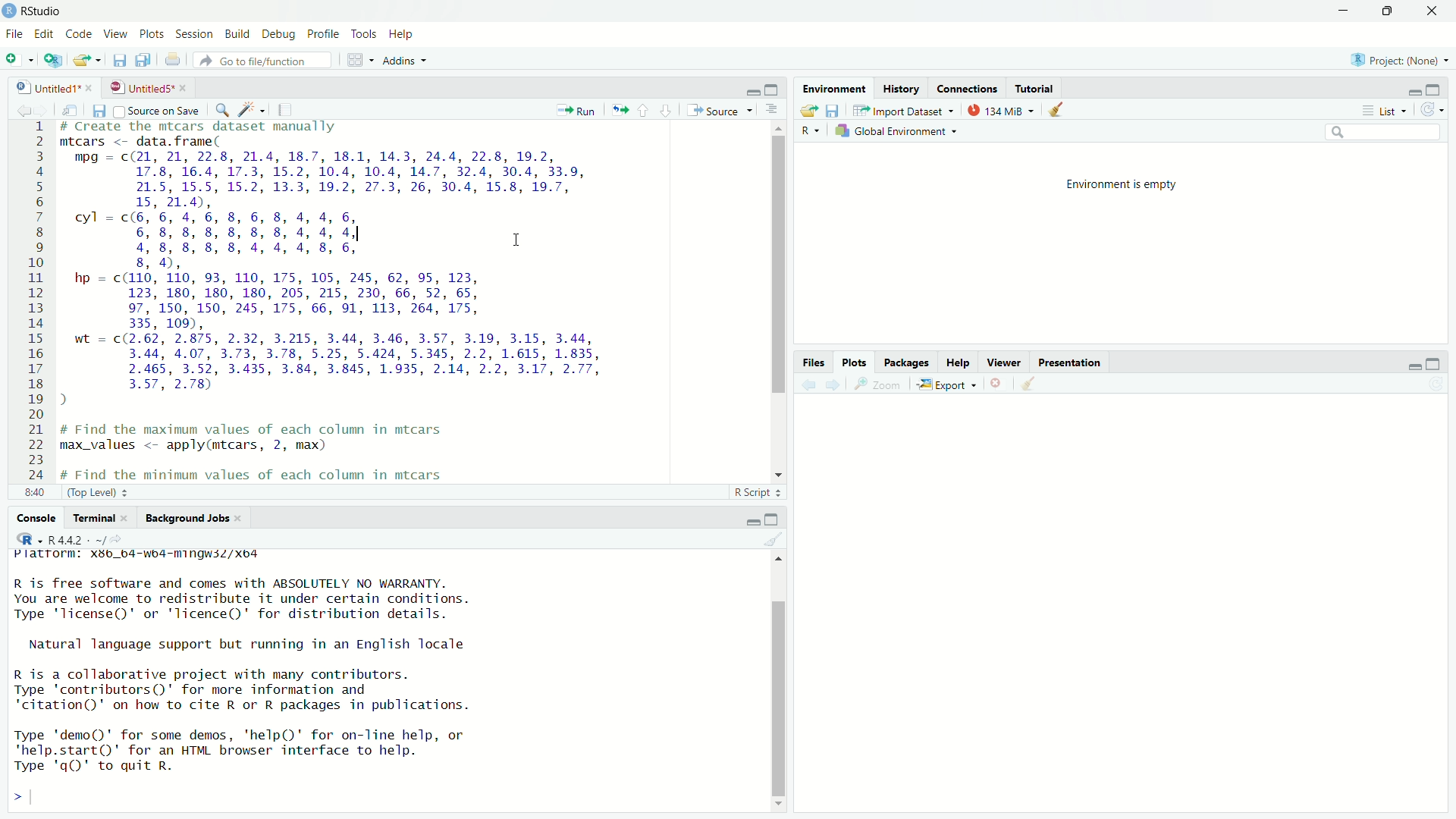 Image resolution: width=1456 pixels, height=819 pixels. I want to click on maximise, so click(1435, 89).